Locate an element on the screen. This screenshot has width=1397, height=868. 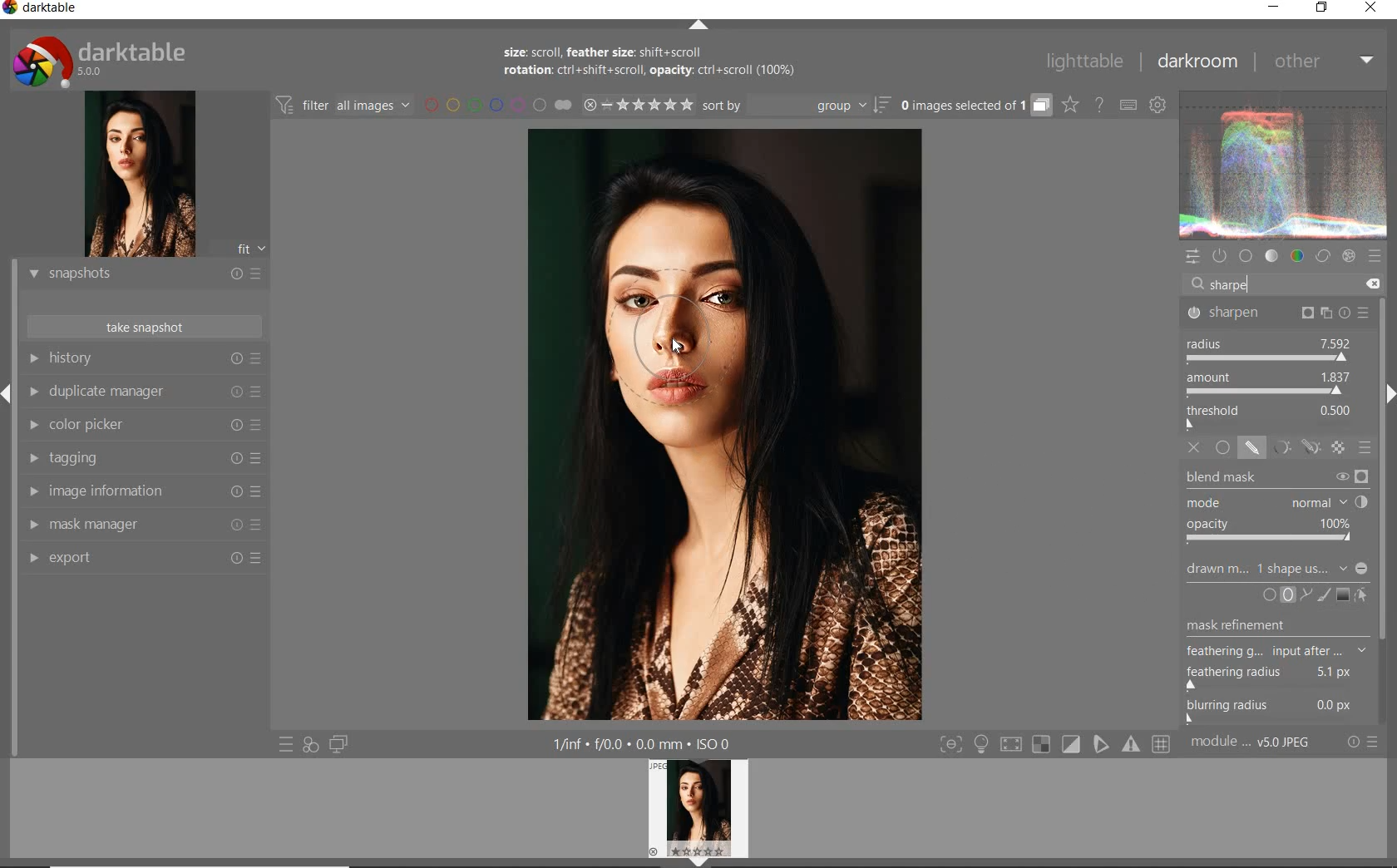
DUPLICATE MANAGER is located at coordinates (146, 394).